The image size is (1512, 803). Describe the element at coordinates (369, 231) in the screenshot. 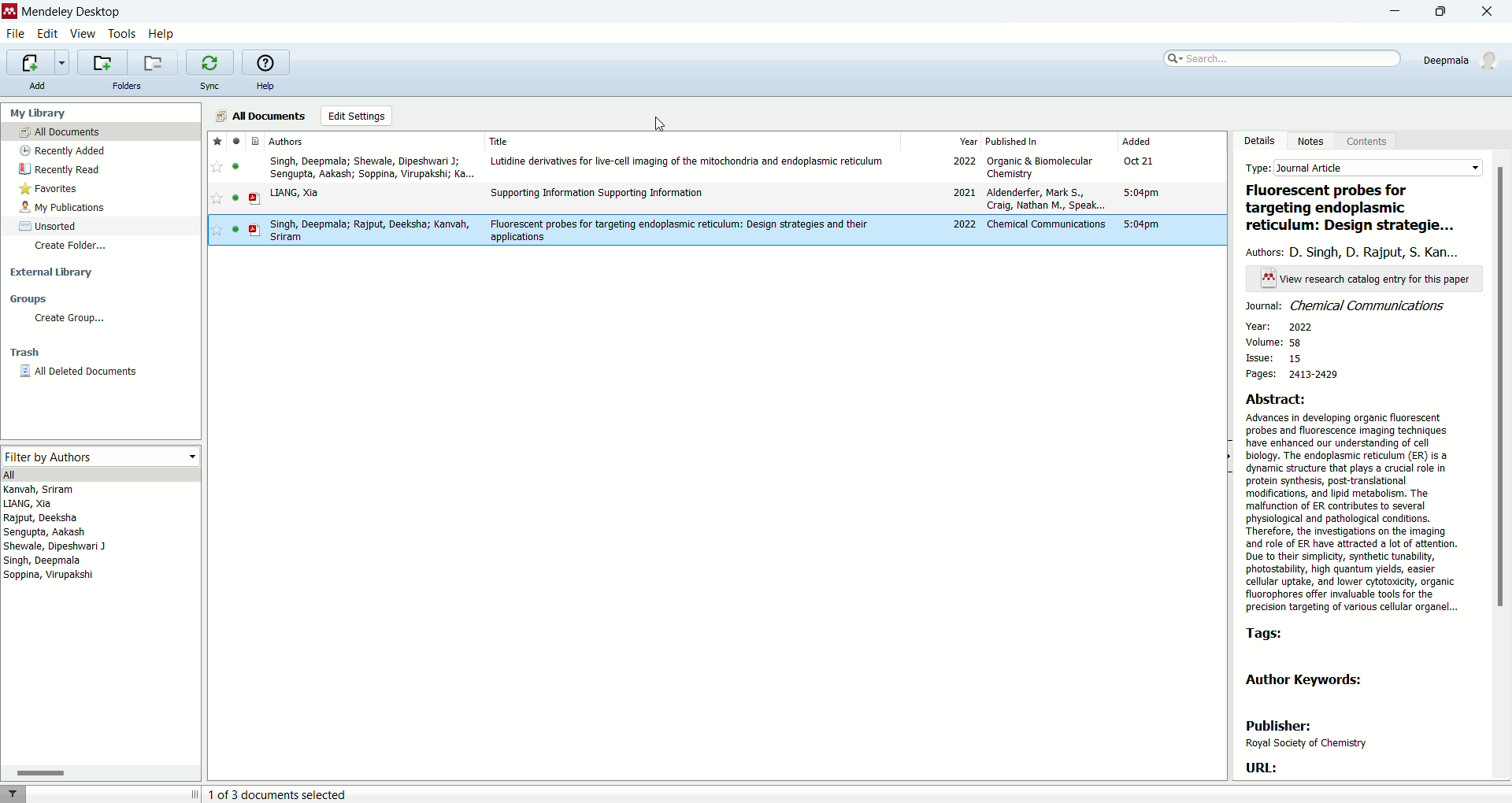

I see `Singh, Deepmala; Rajput, Deeksha; Kanvah,
Sriram` at that location.